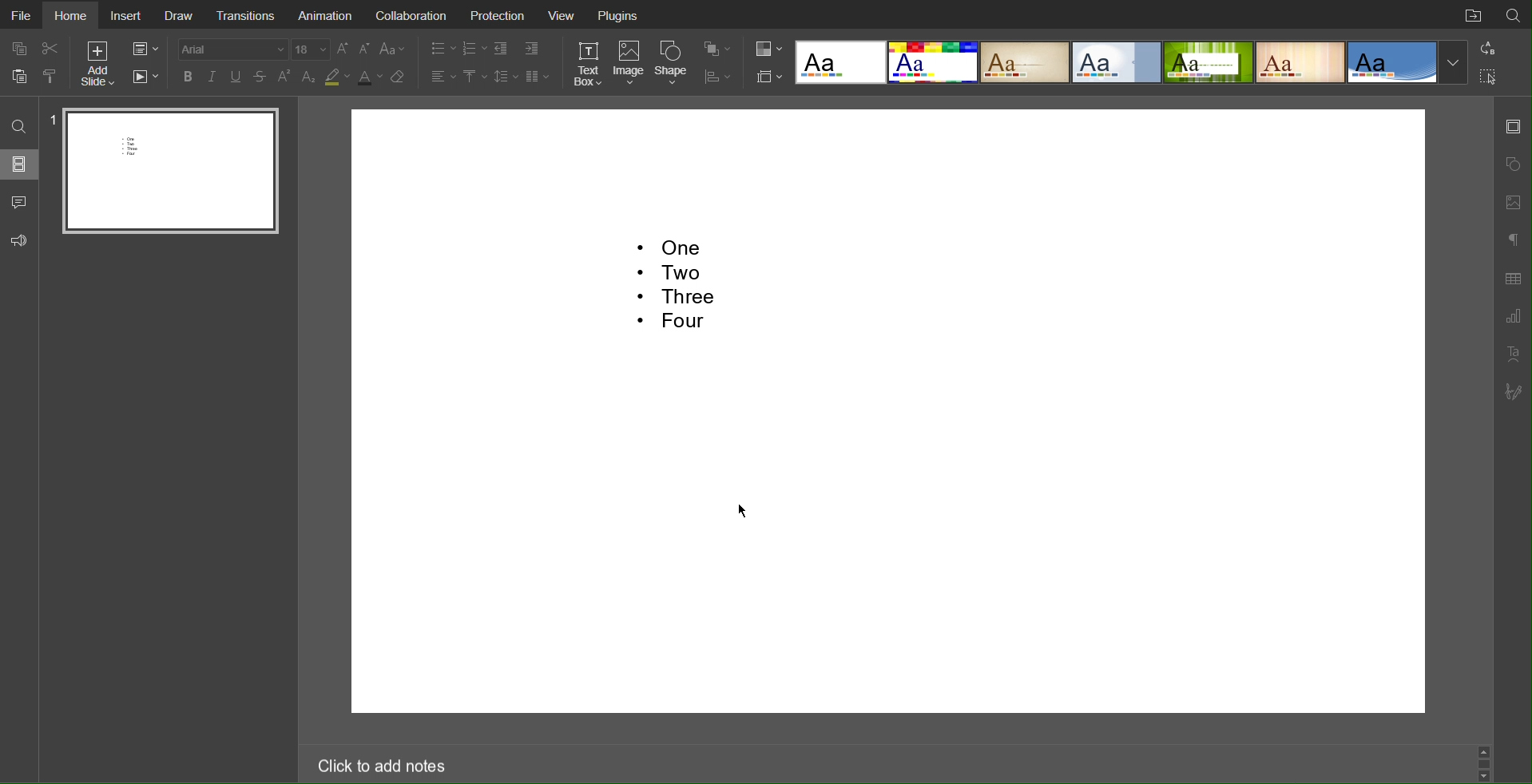 The height and width of the screenshot is (784, 1532). What do you see at coordinates (144, 48) in the screenshot?
I see `Slide Settings` at bounding box center [144, 48].